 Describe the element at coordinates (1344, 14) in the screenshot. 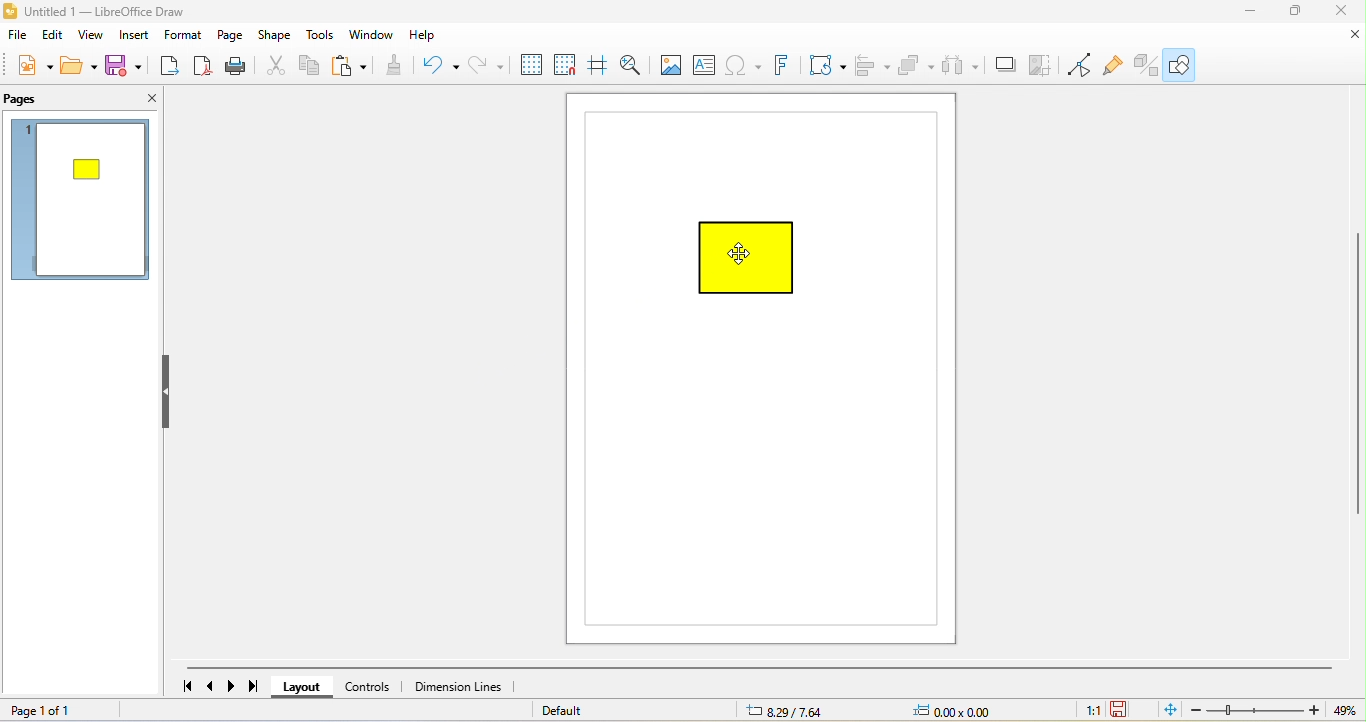

I see `close` at that location.